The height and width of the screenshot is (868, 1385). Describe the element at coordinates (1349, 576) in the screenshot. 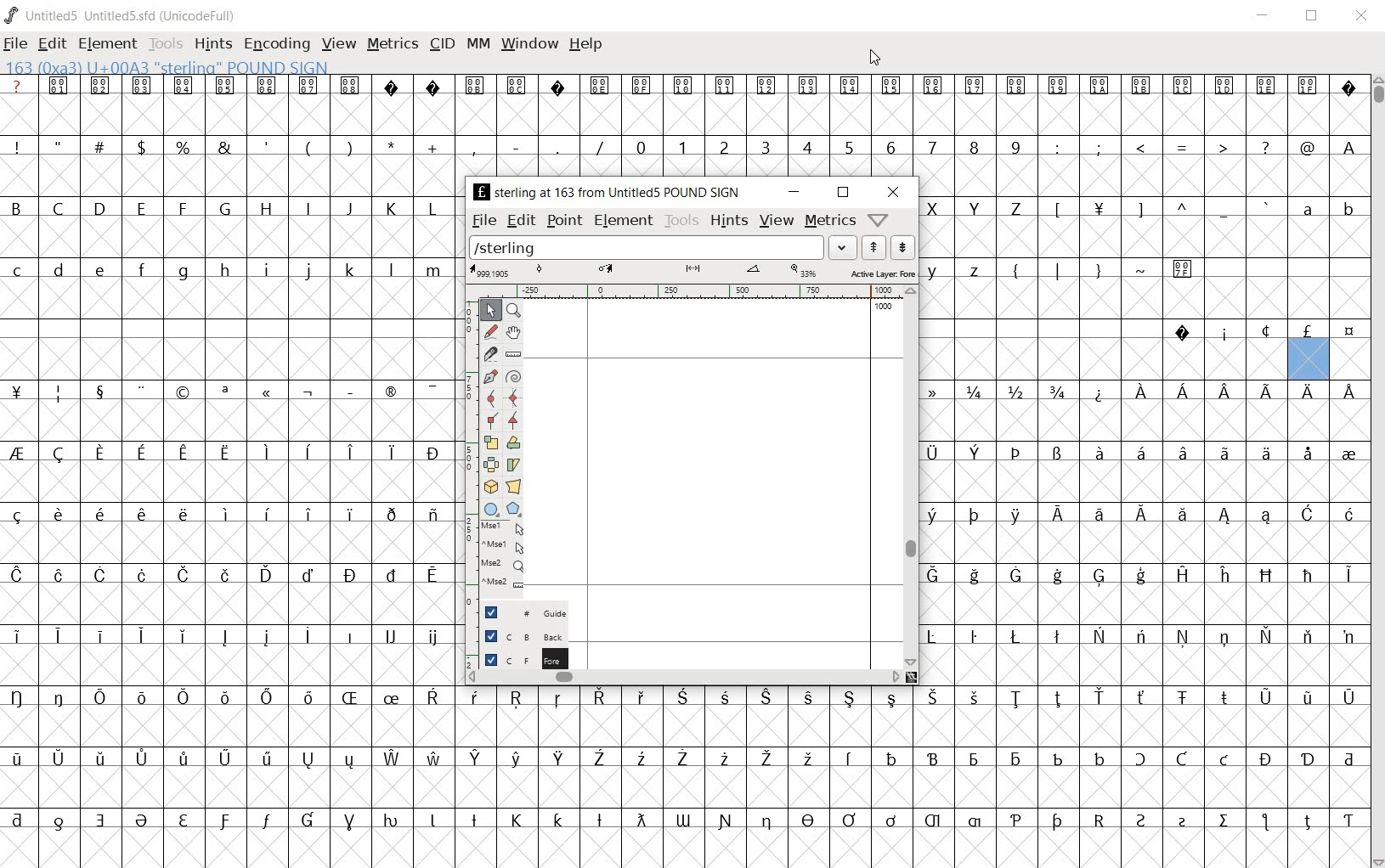

I see `Symbol` at that location.